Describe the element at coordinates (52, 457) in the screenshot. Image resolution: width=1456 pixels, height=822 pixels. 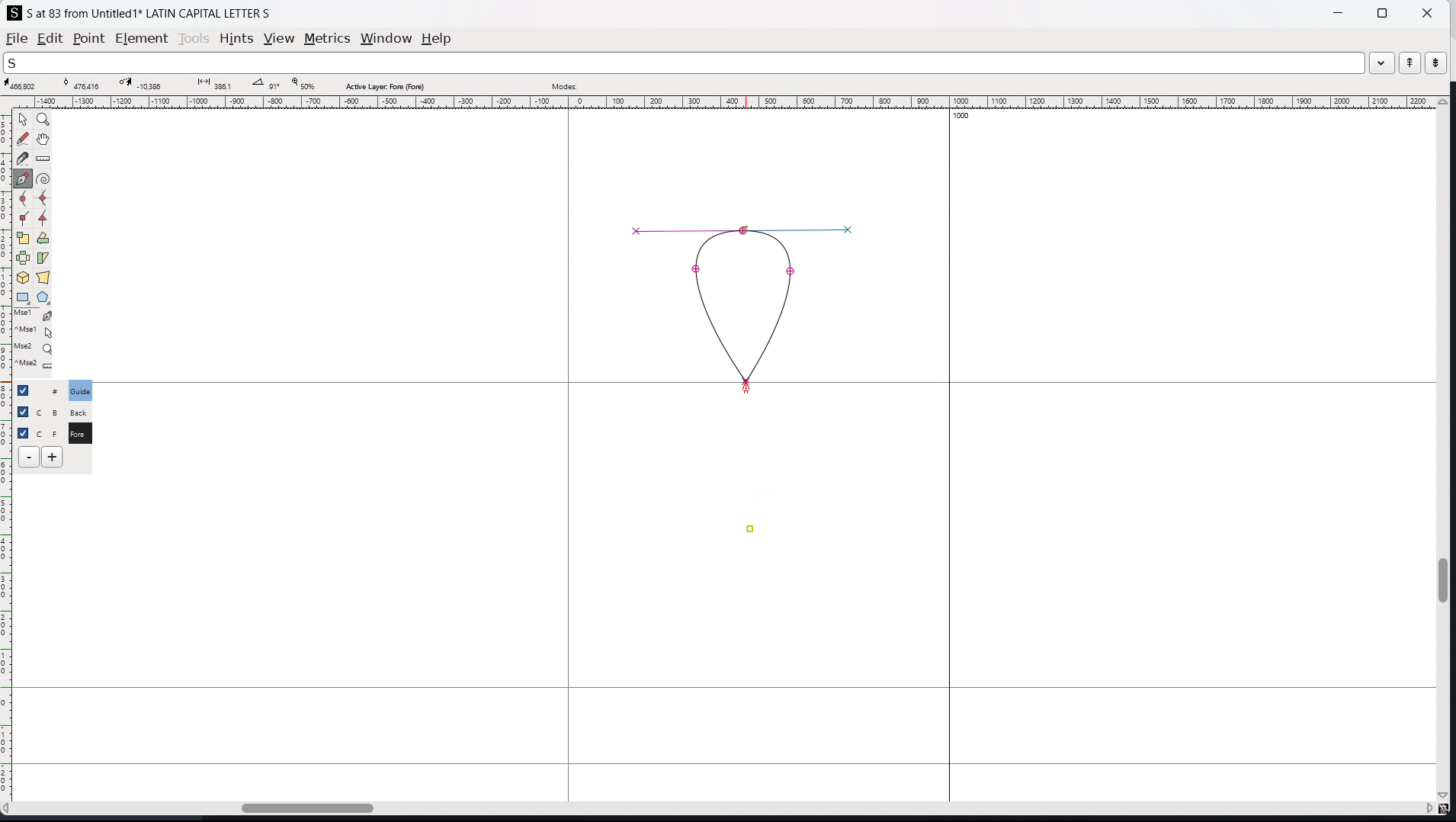
I see `add layers` at that location.